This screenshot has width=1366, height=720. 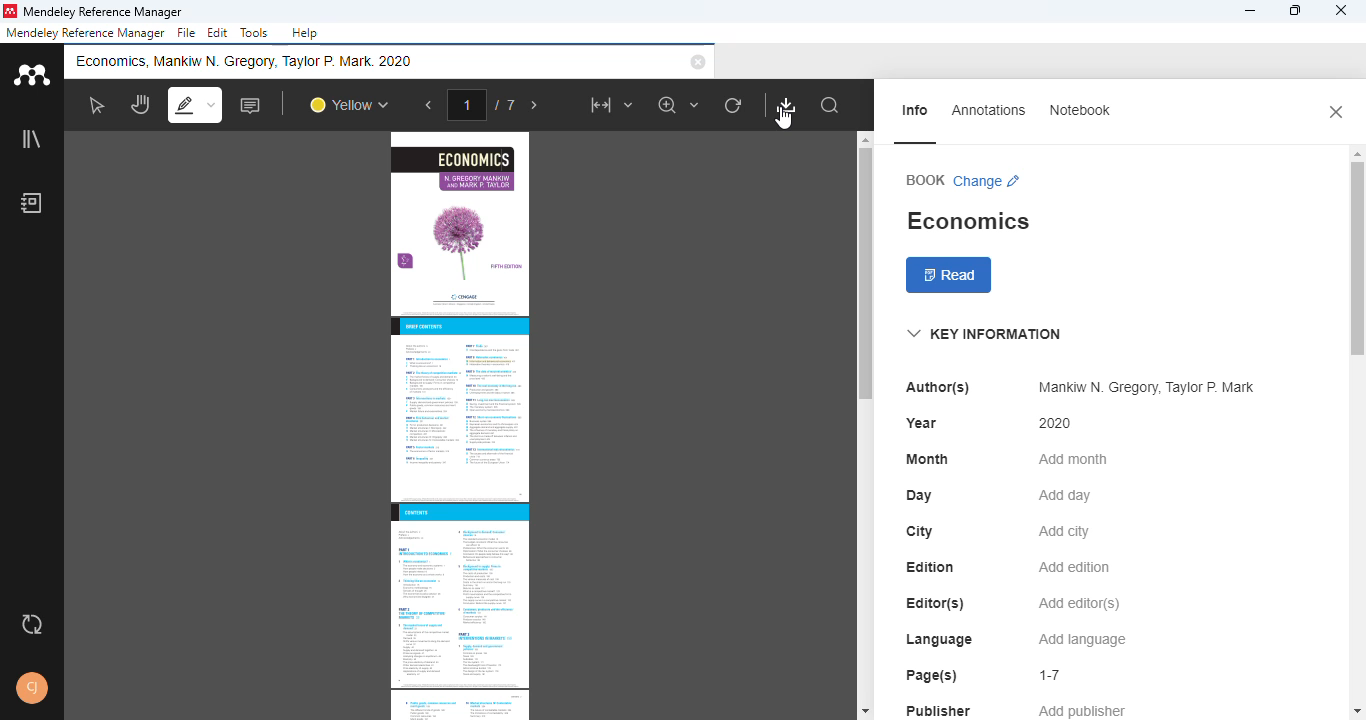 I want to click on add editor(s), so click(x=1080, y=605).